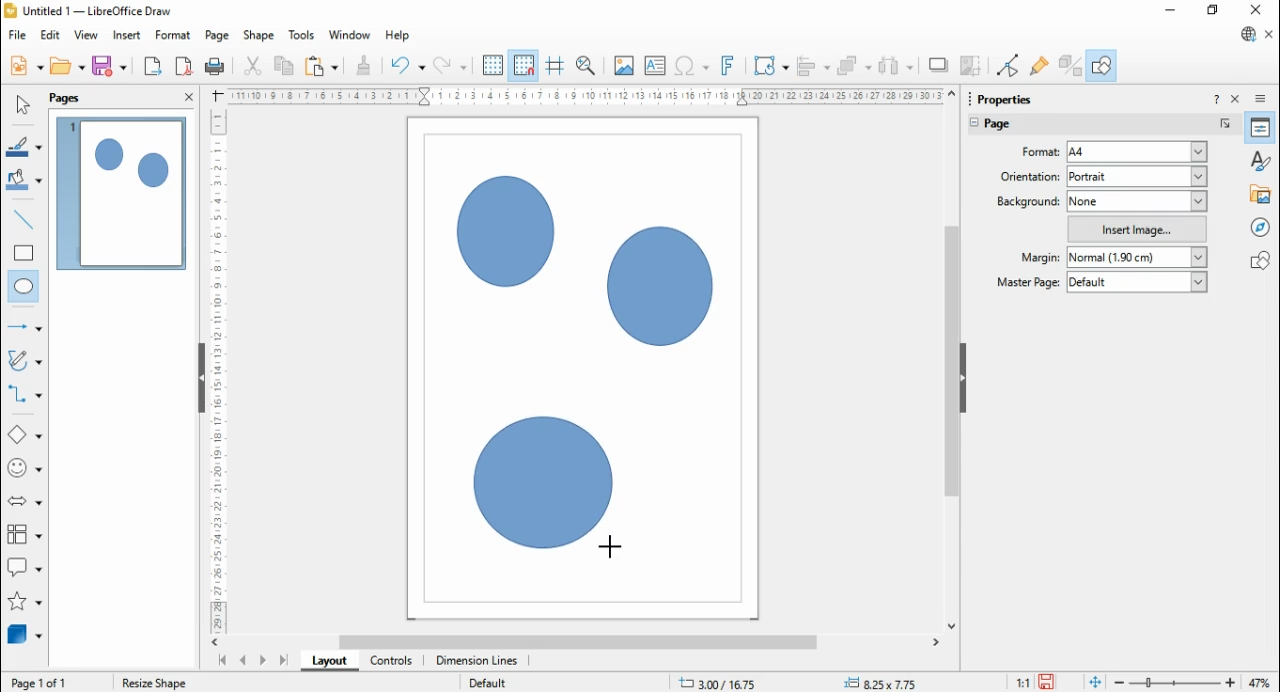 The image size is (1280, 692). What do you see at coordinates (26, 220) in the screenshot?
I see `insert line` at bounding box center [26, 220].